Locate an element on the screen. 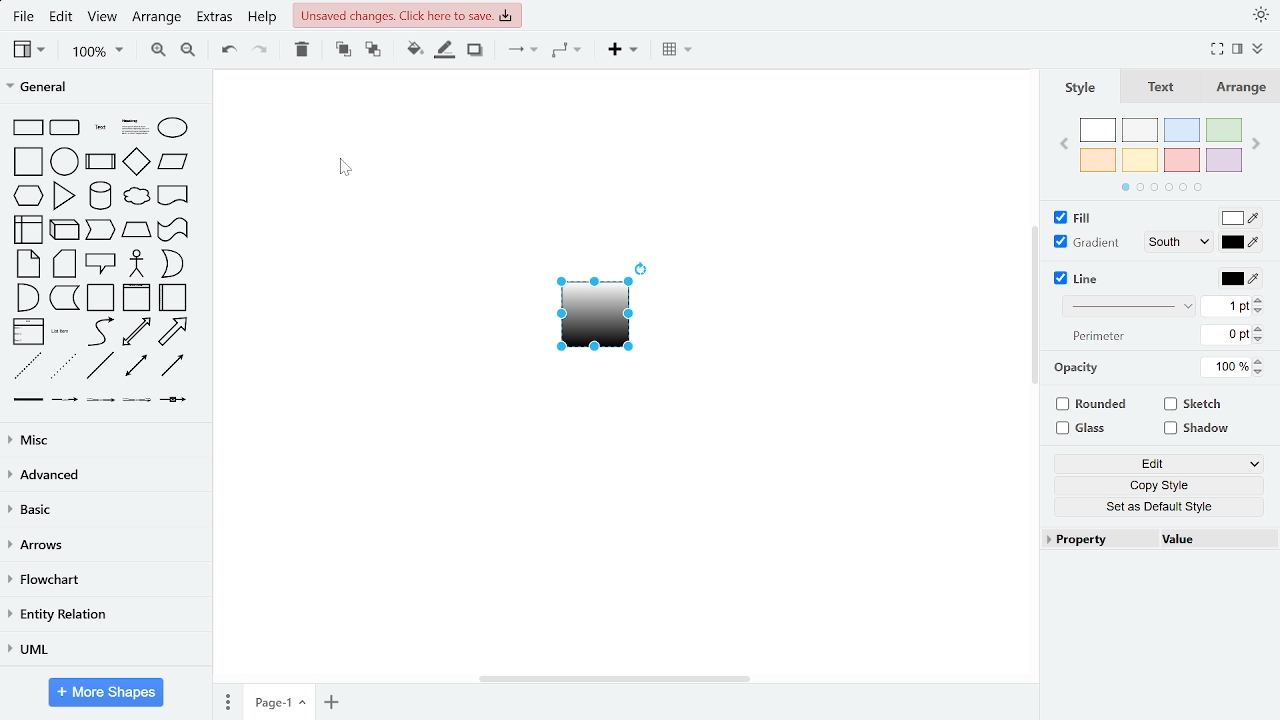 Image resolution: width=1280 pixels, height=720 pixels. advanced is located at coordinates (106, 476).